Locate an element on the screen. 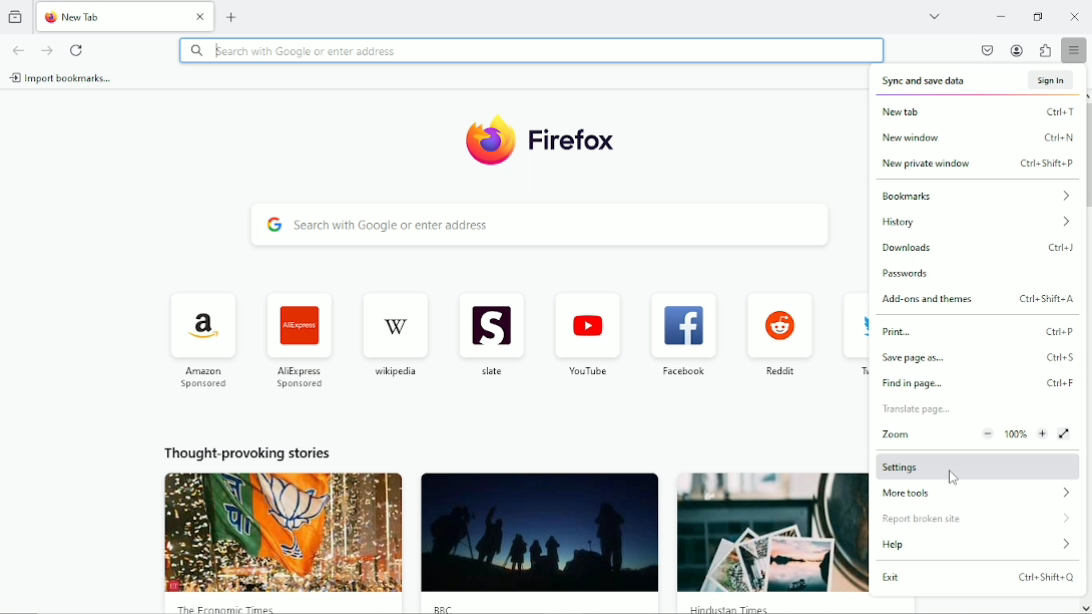  Sync and save data is located at coordinates (924, 82).